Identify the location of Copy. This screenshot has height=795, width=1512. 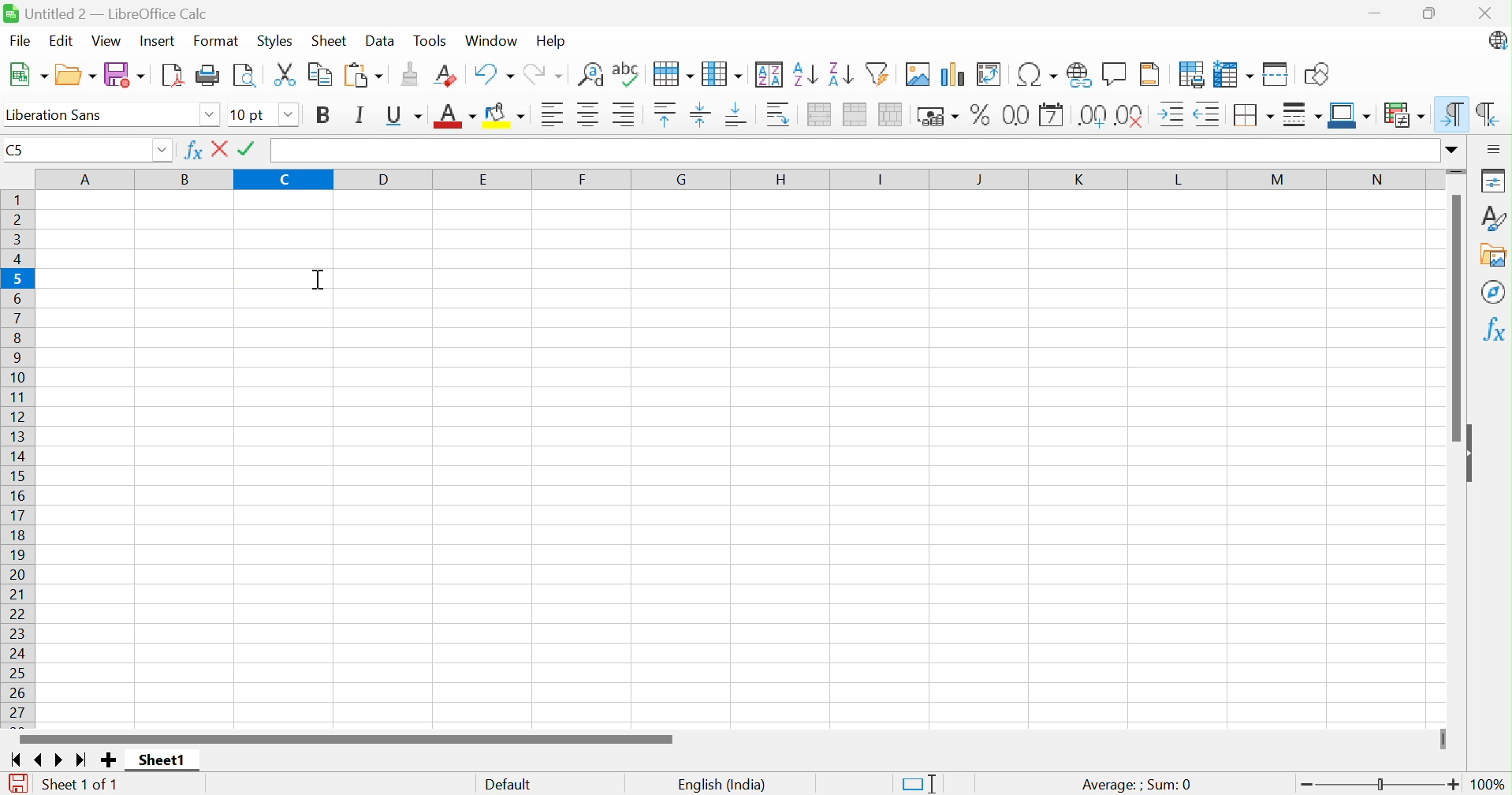
(321, 73).